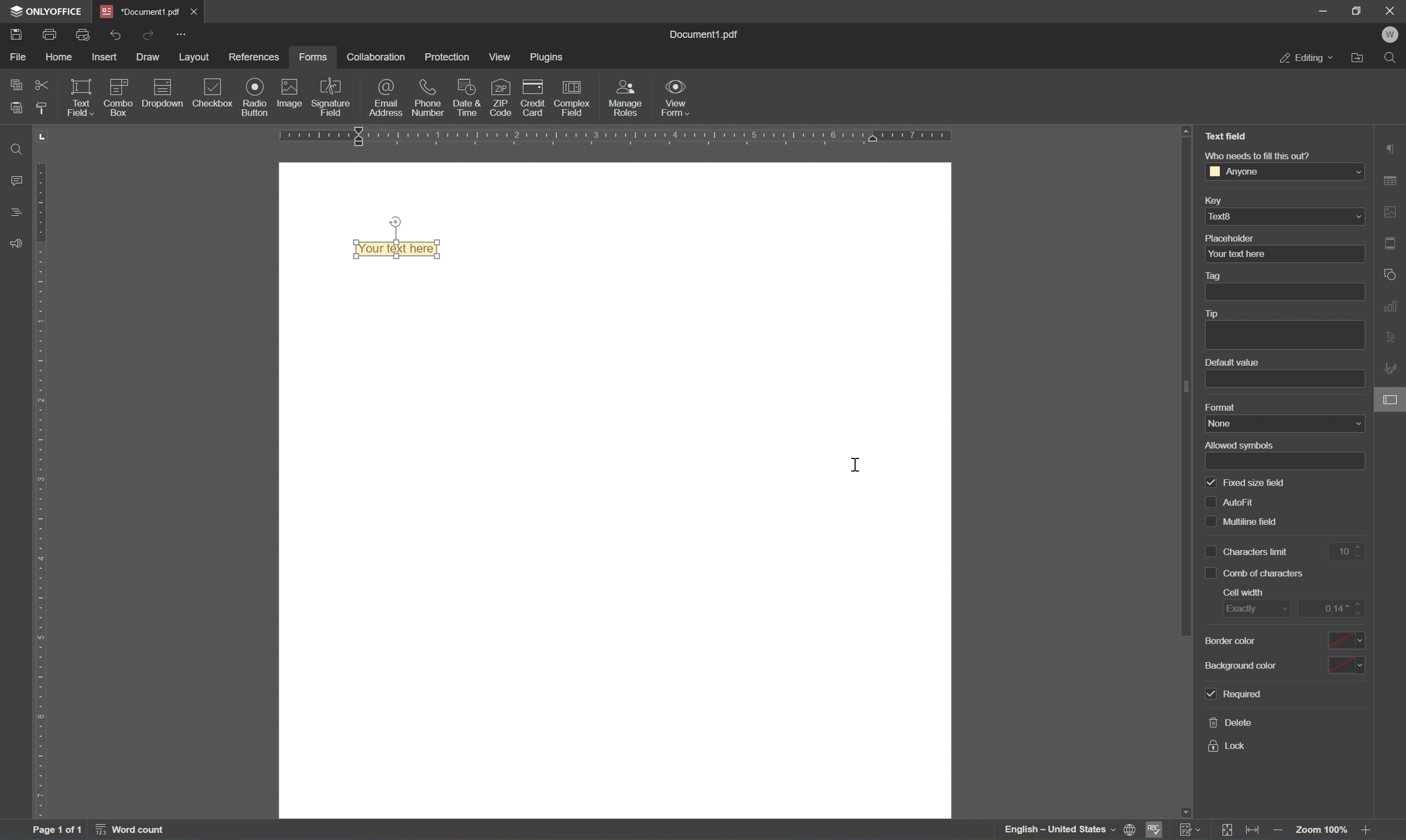 This screenshot has width=1406, height=840. I want to click on cut, so click(41, 85).